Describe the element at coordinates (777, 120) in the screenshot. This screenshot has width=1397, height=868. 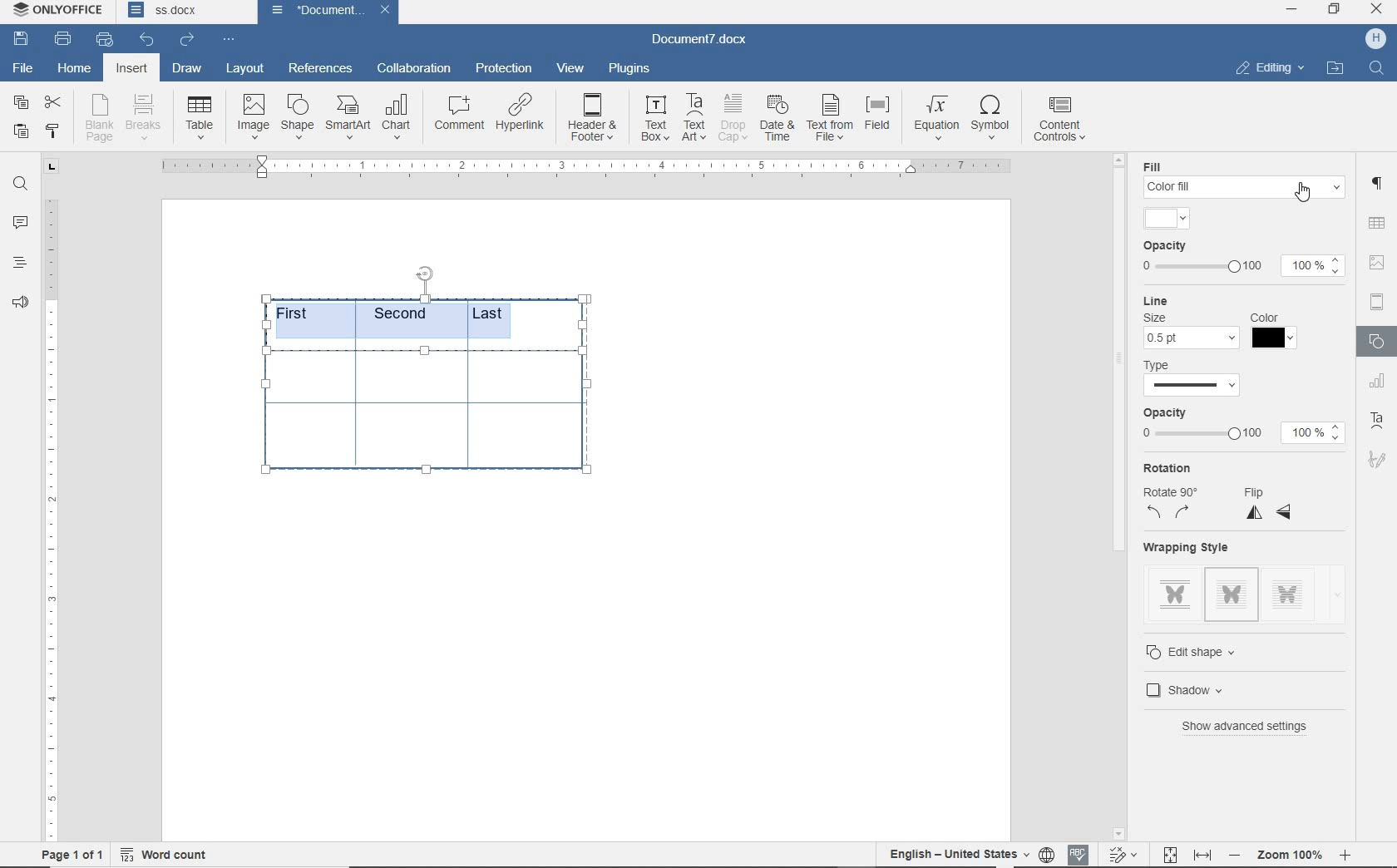
I see `date & time` at that location.